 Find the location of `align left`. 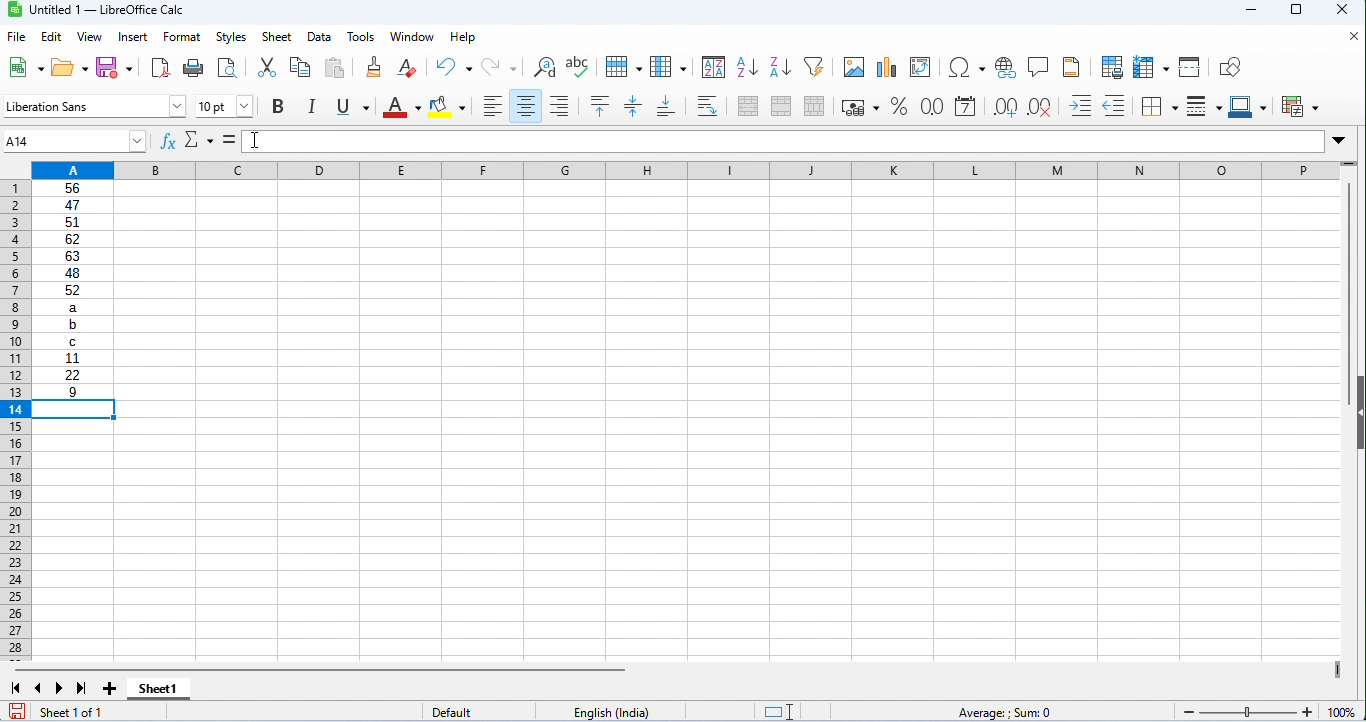

align left is located at coordinates (490, 106).